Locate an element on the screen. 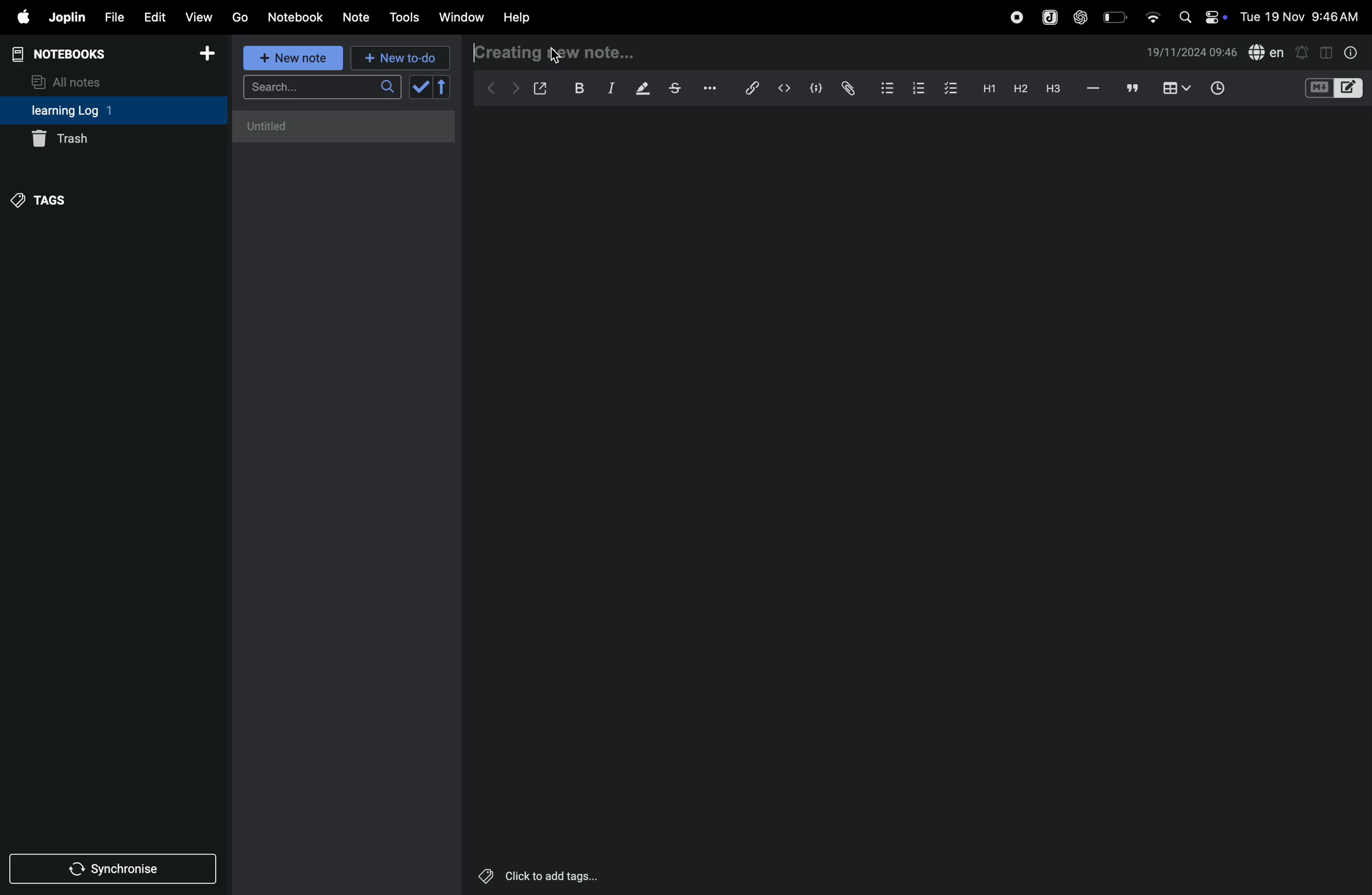 Image resolution: width=1372 pixels, height=895 pixels. code block is located at coordinates (1333, 89).